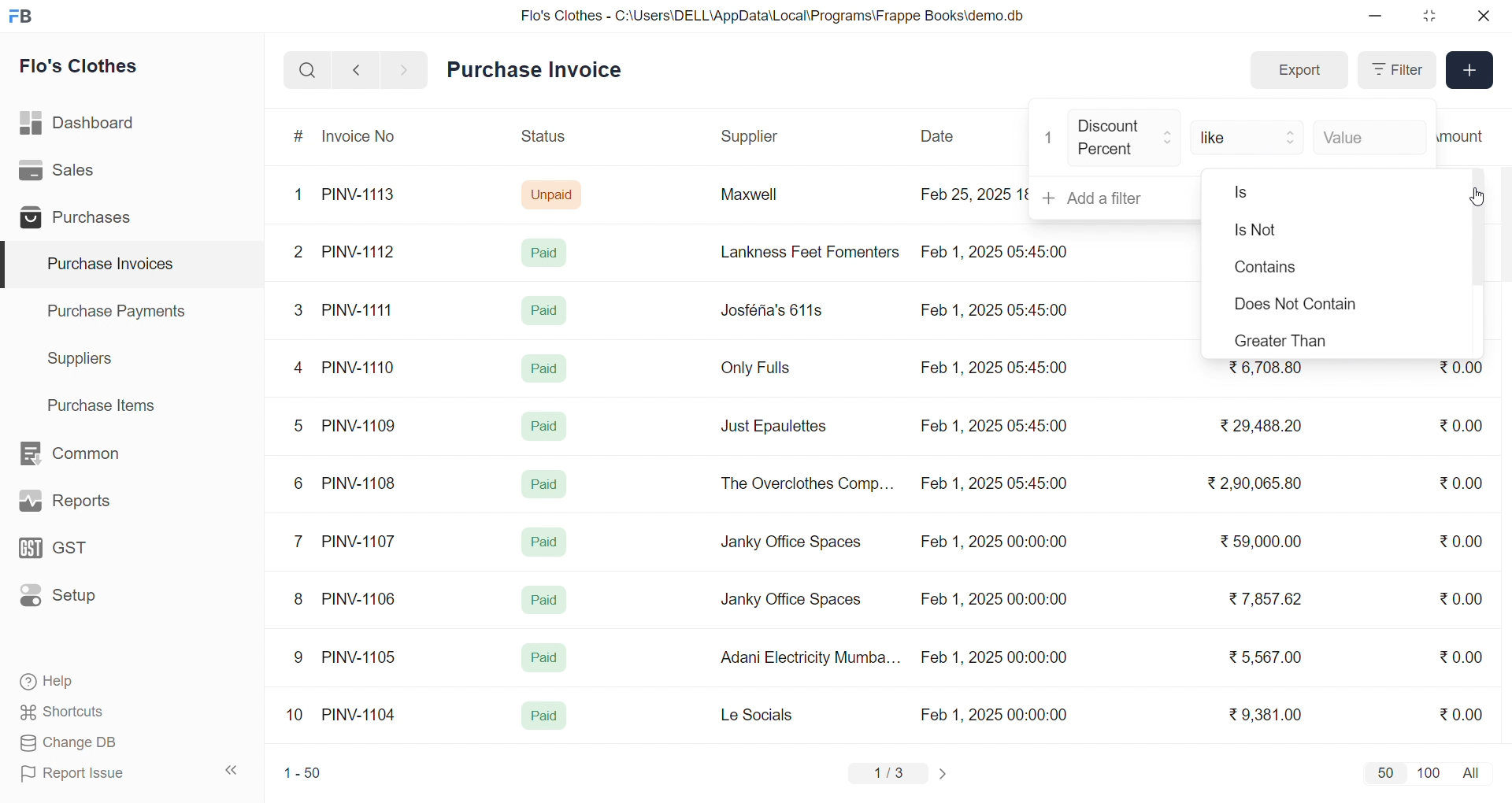 Image resolution: width=1512 pixels, height=803 pixels. I want to click on Filter, so click(1395, 70).